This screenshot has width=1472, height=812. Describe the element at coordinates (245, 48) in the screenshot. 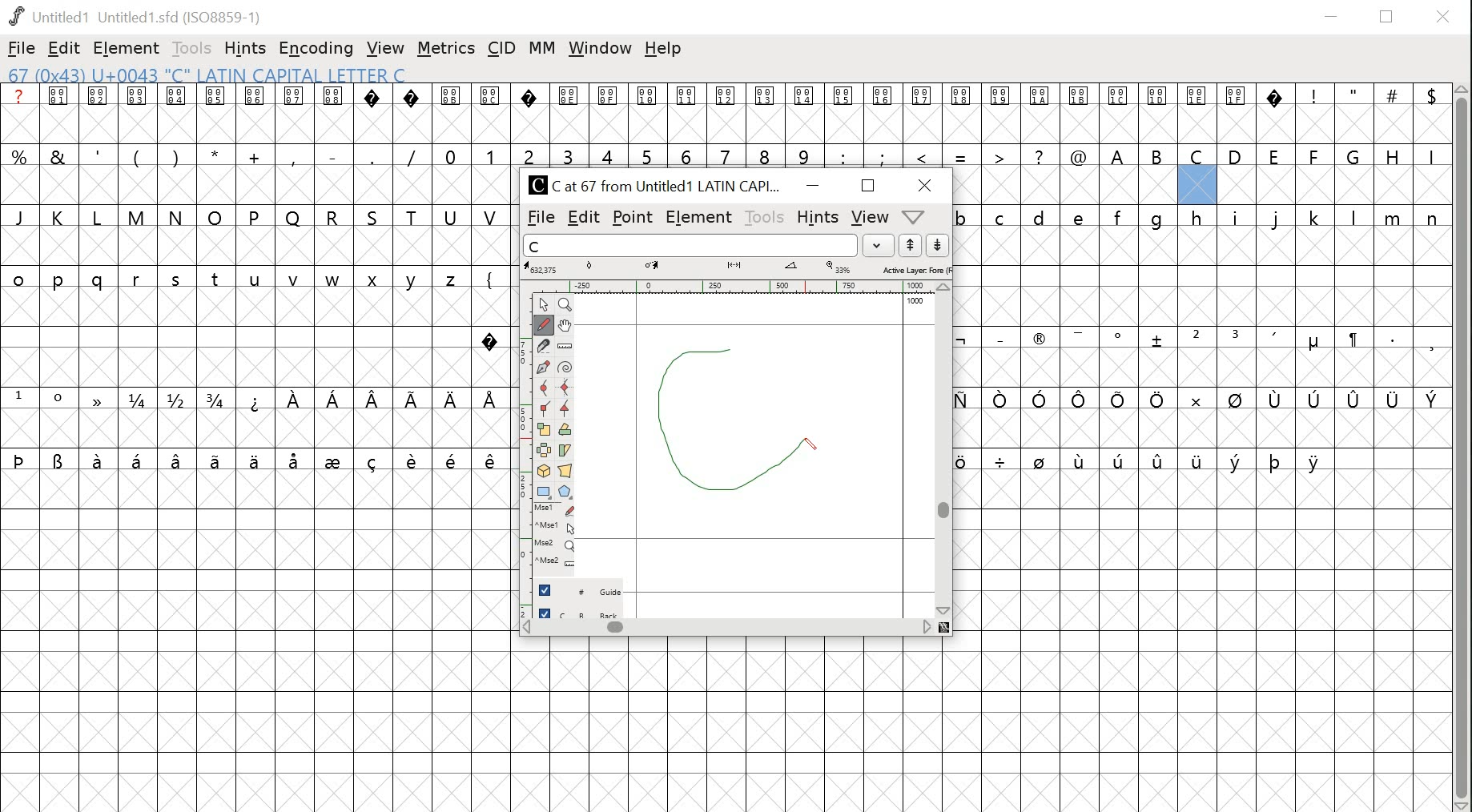

I see `hints` at that location.